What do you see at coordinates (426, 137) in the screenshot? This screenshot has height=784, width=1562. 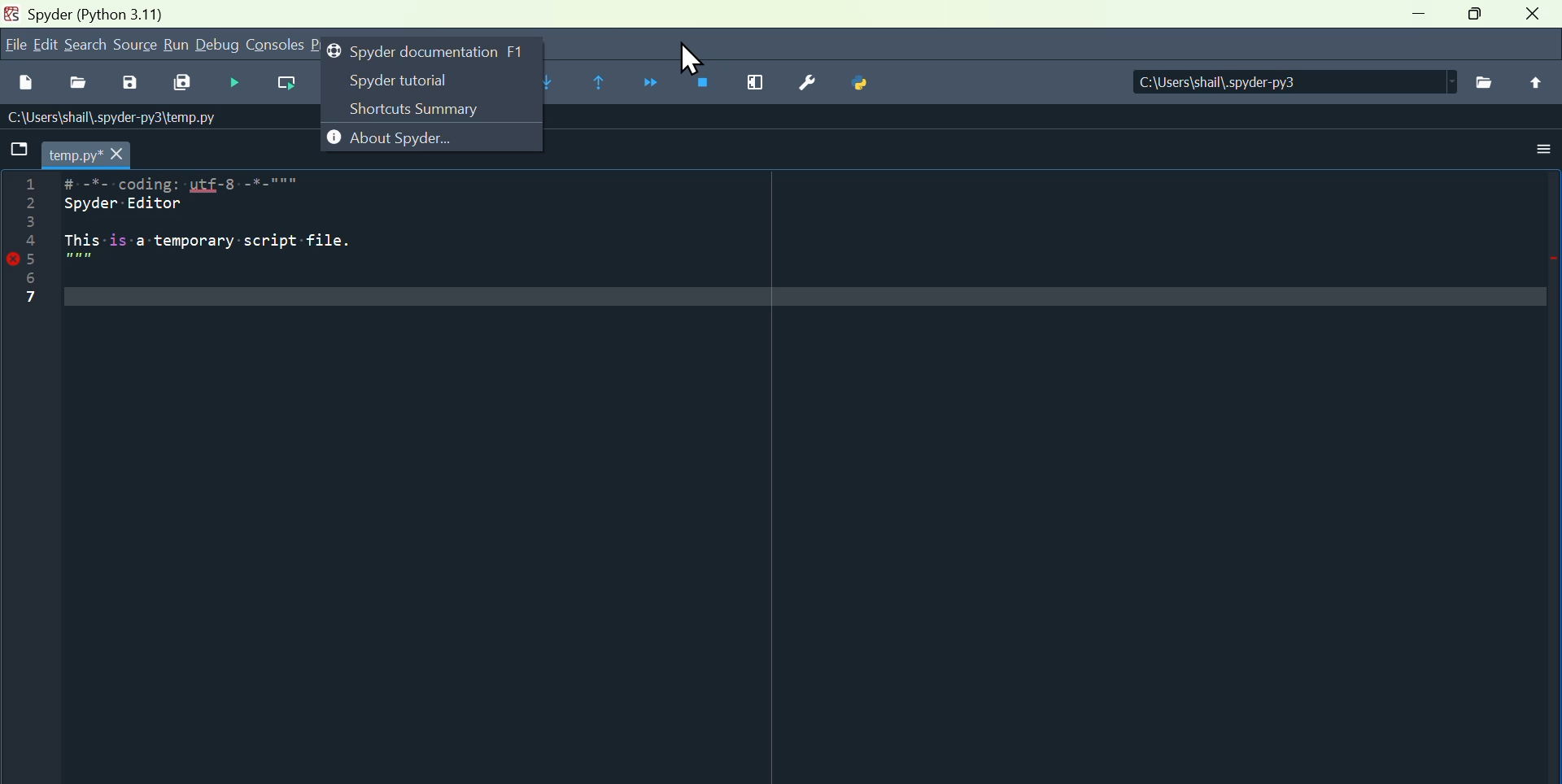 I see `About spyder` at bounding box center [426, 137].